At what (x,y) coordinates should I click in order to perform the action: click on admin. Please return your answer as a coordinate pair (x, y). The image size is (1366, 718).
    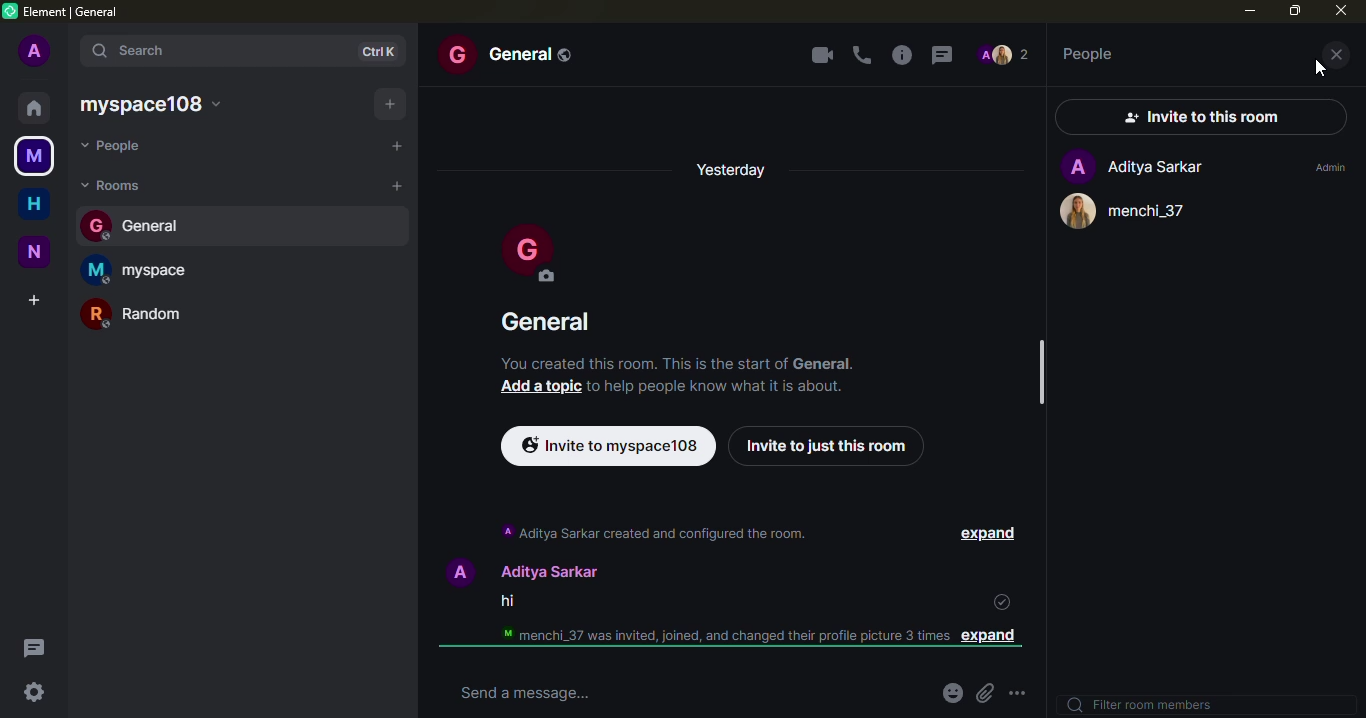
    Looking at the image, I should click on (1329, 165).